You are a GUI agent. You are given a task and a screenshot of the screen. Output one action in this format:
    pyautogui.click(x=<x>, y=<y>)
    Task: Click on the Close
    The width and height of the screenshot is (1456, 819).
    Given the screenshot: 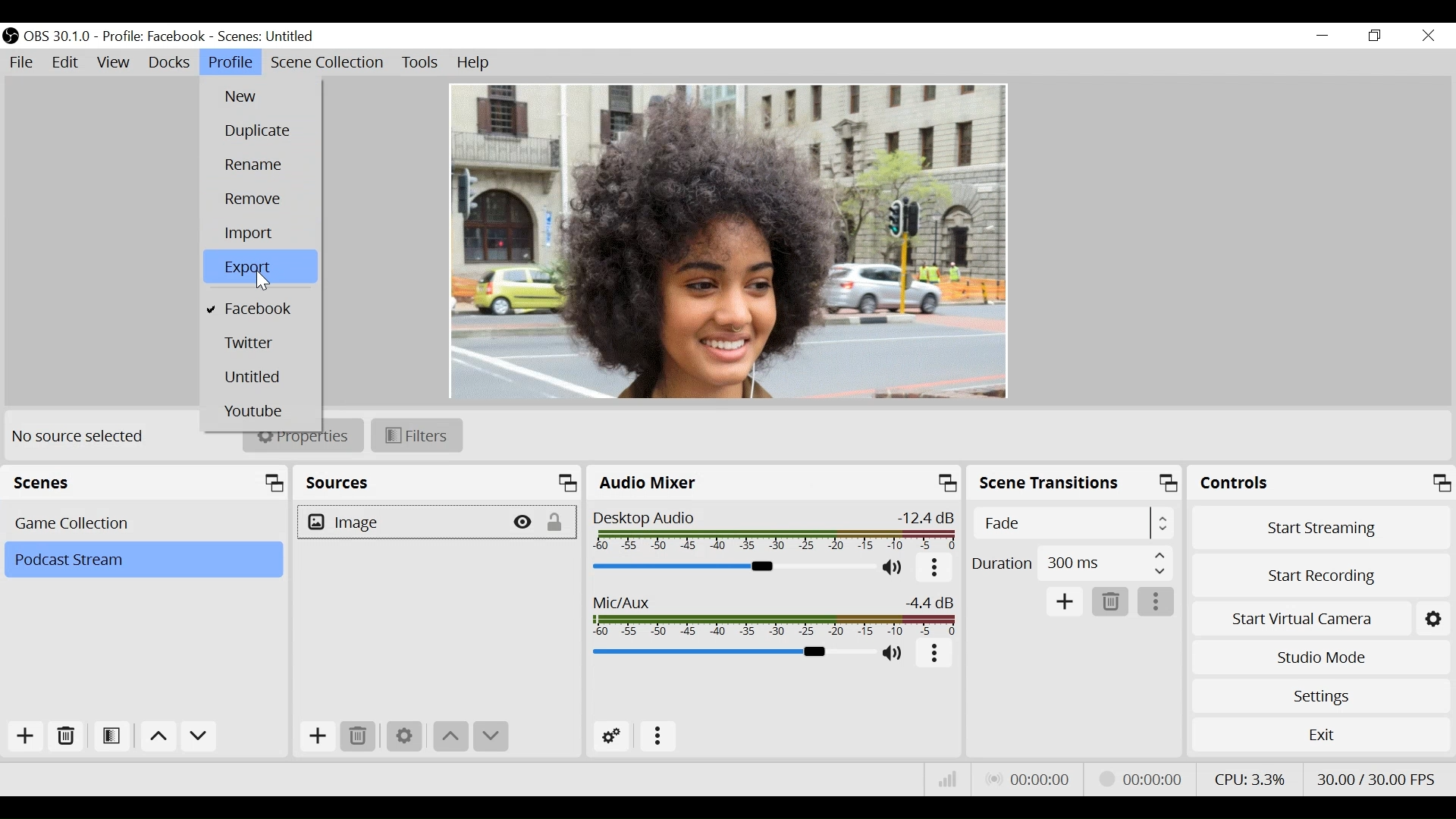 What is the action you would take?
    pyautogui.click(x=1428, y=35)
    